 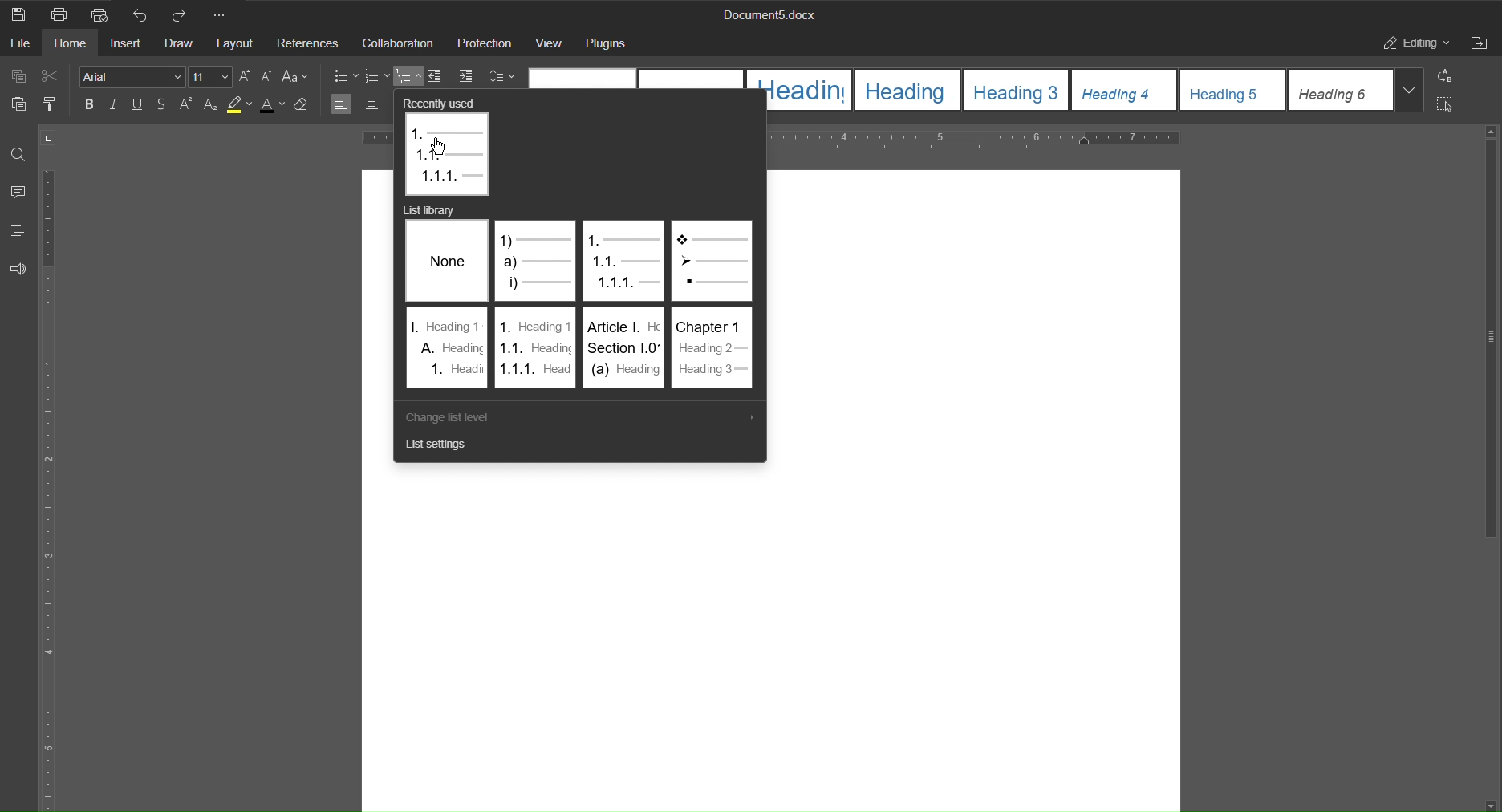 What do you see at coordinates (1490, 340) in the screenshot?
I see `vertical scrollbar` at bounding box center [1490, 340].